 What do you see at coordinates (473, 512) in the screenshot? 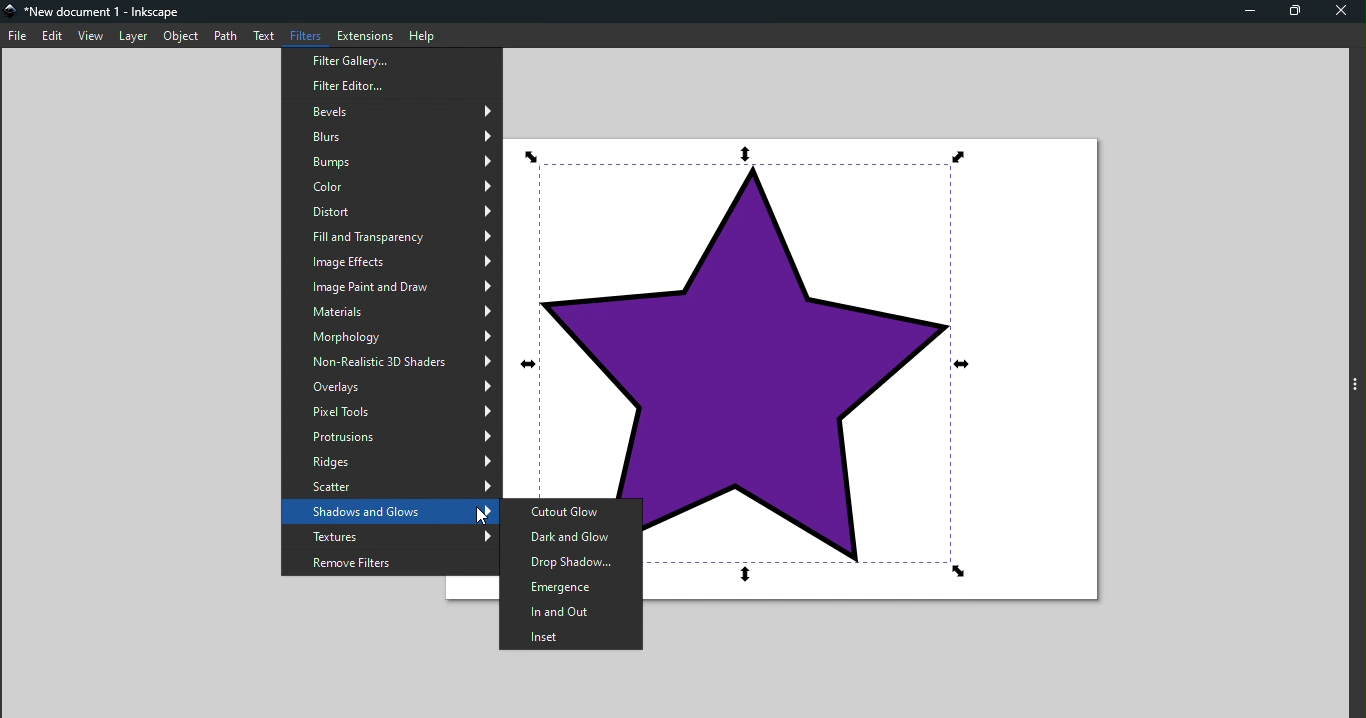
I see `Cursor` at bounding box center [473, 512].